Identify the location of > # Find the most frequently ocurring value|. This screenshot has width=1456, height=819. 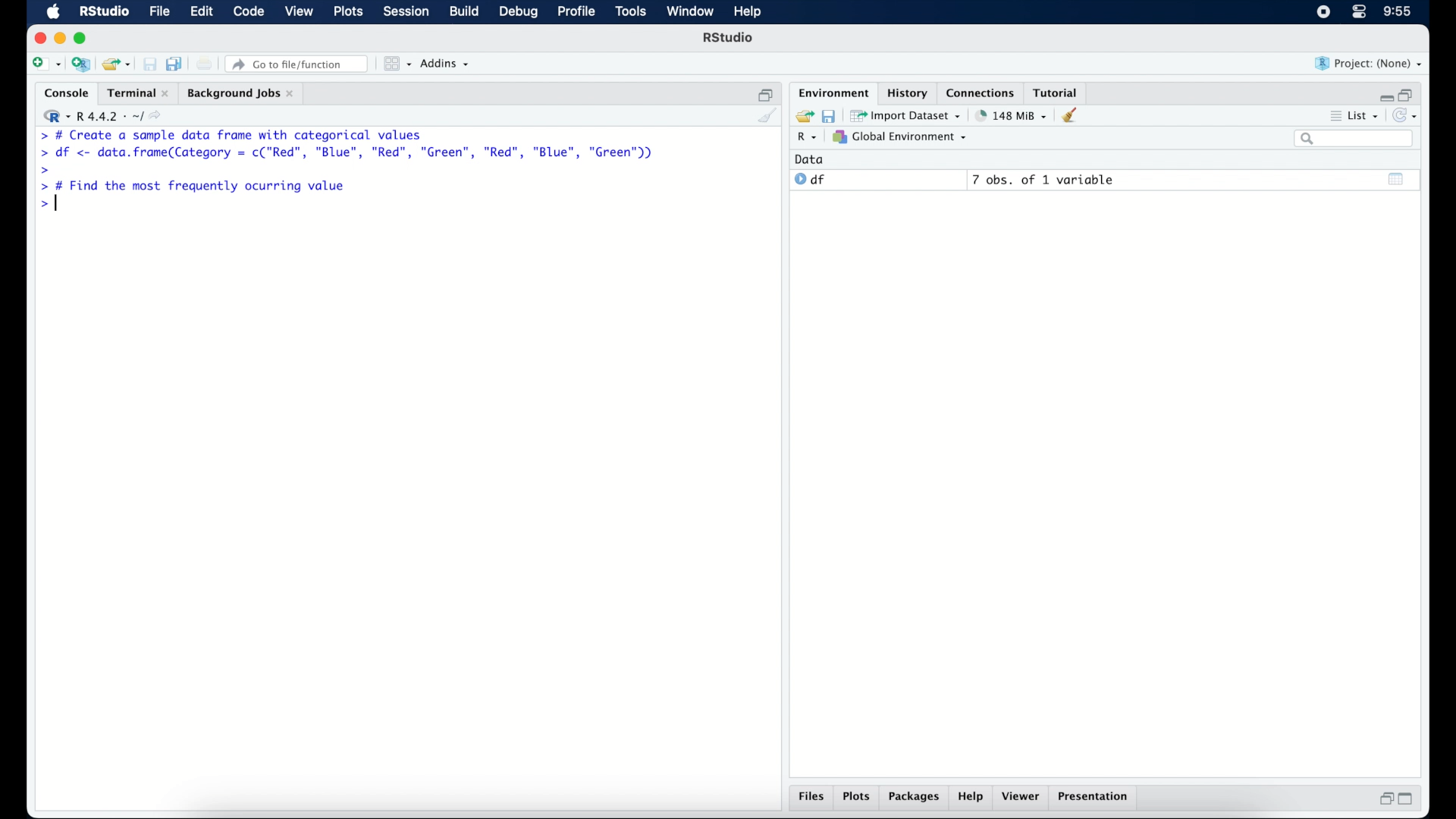
(202, 187).